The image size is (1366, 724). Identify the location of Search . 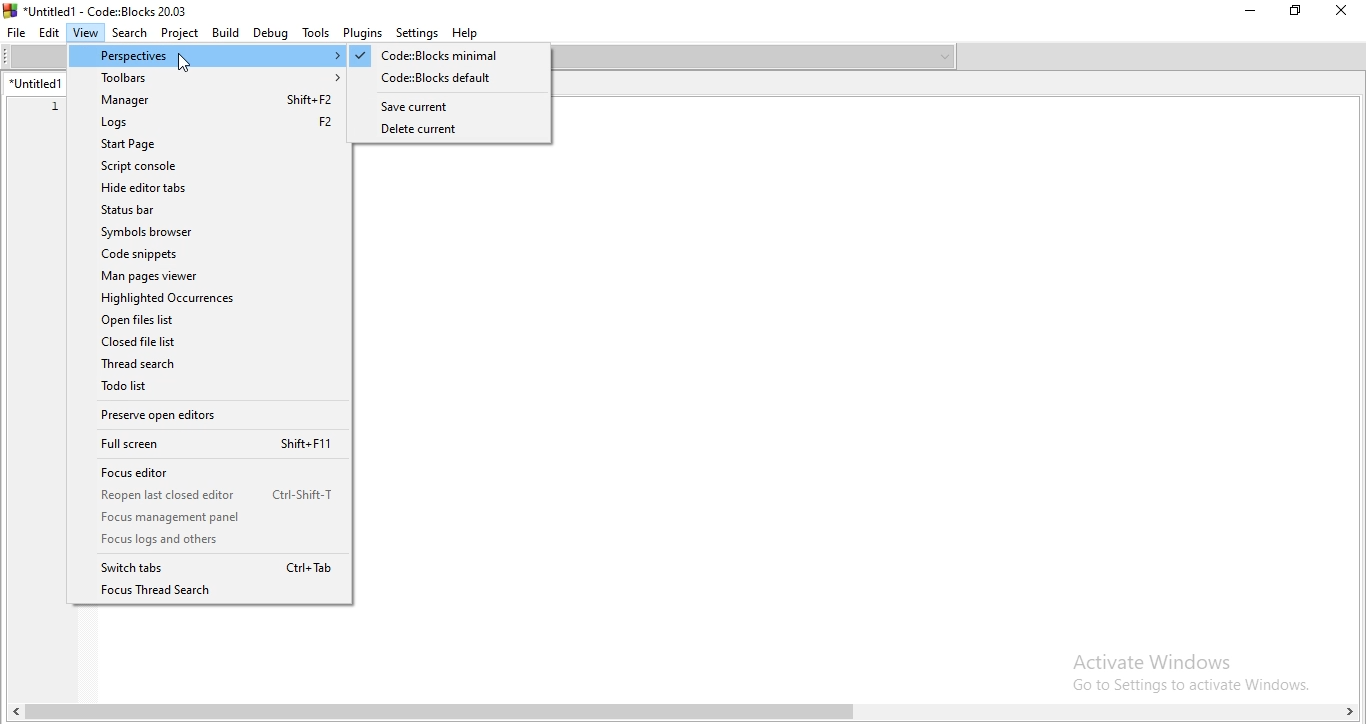
(131, 33).